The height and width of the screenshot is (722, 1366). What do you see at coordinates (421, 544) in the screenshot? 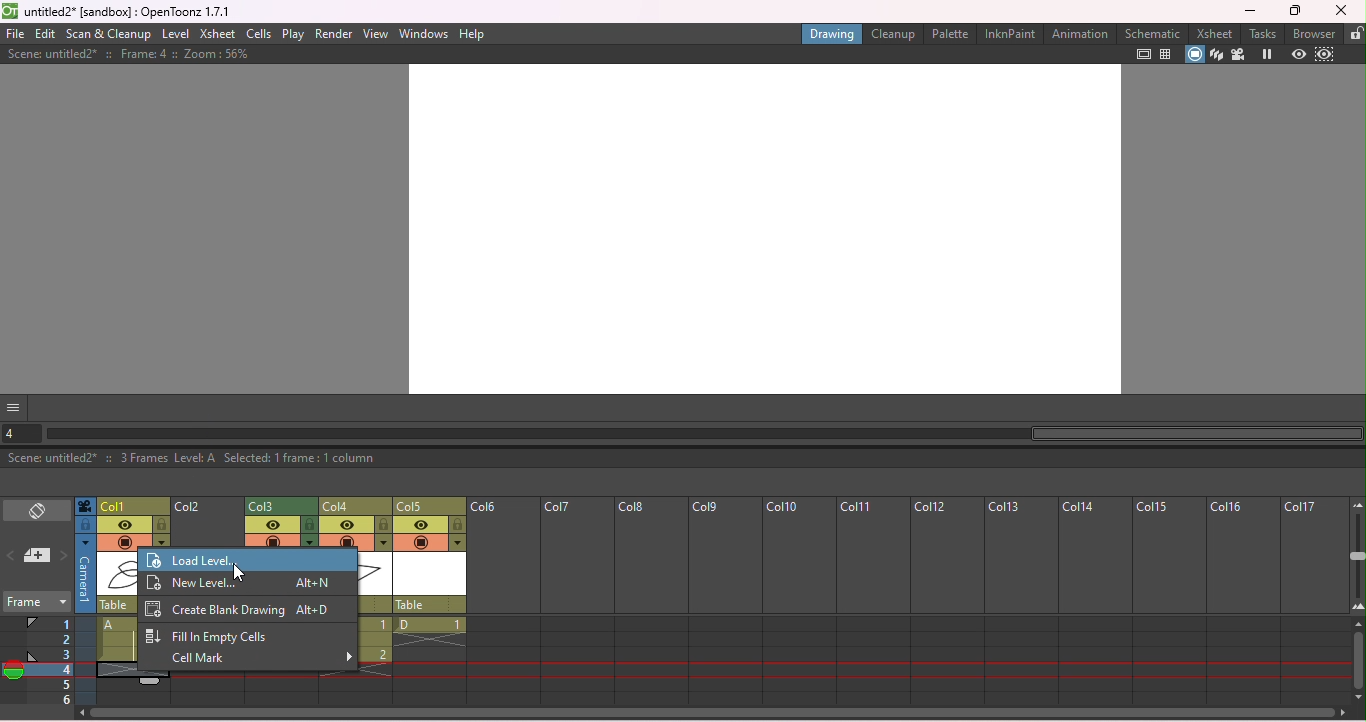
I see `camera stand visibility toggle` at bounding box center [421, 544].